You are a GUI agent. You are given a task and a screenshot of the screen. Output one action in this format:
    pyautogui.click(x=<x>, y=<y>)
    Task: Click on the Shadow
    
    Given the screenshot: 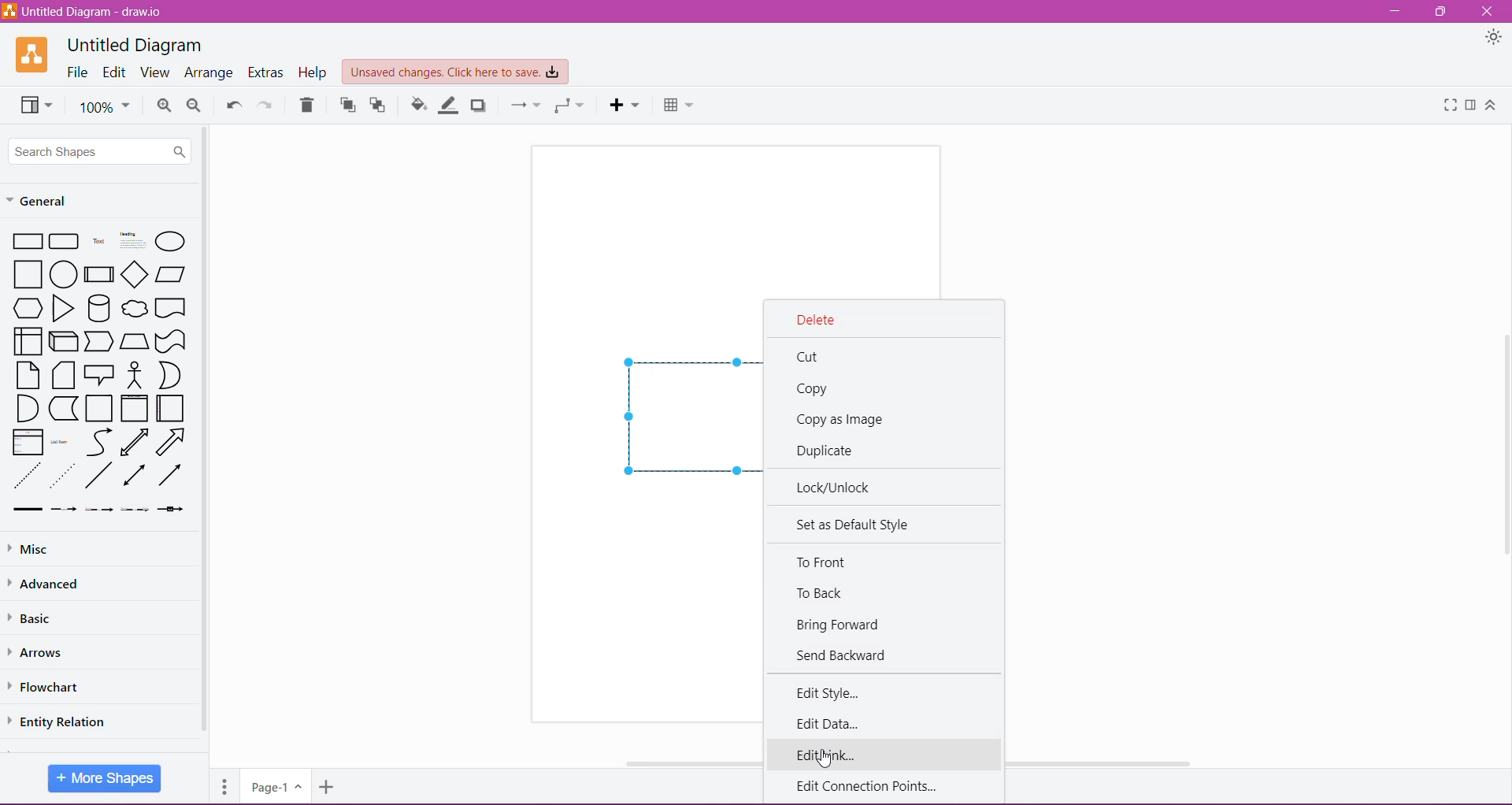 What is the action you would take?
    pyautogui.click(x=479, y=106)
    